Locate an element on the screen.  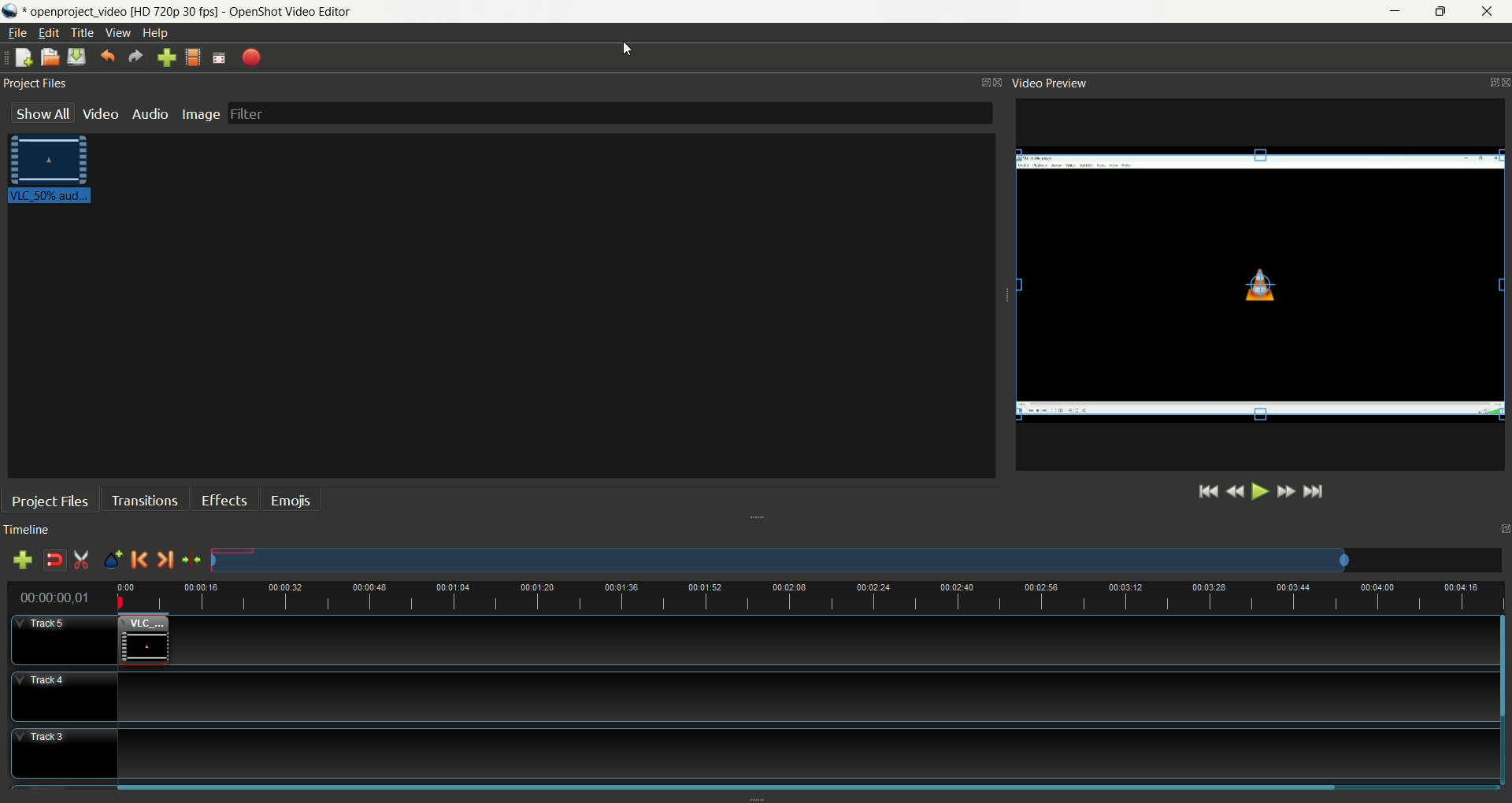
video clip is located at coordinates (1261, 286).